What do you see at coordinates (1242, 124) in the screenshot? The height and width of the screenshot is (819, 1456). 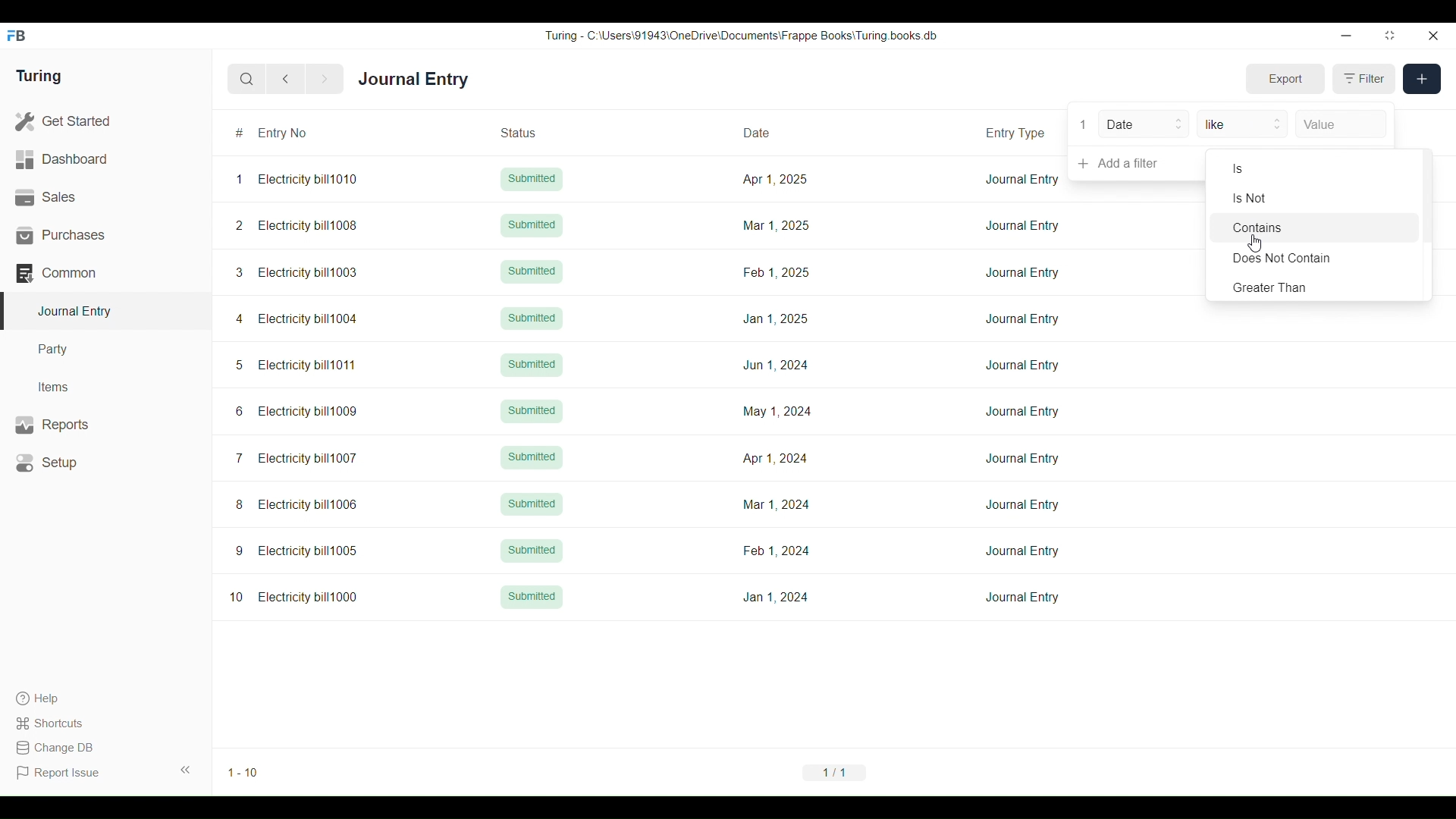 I see `like` at bounding box center [1242, 124].